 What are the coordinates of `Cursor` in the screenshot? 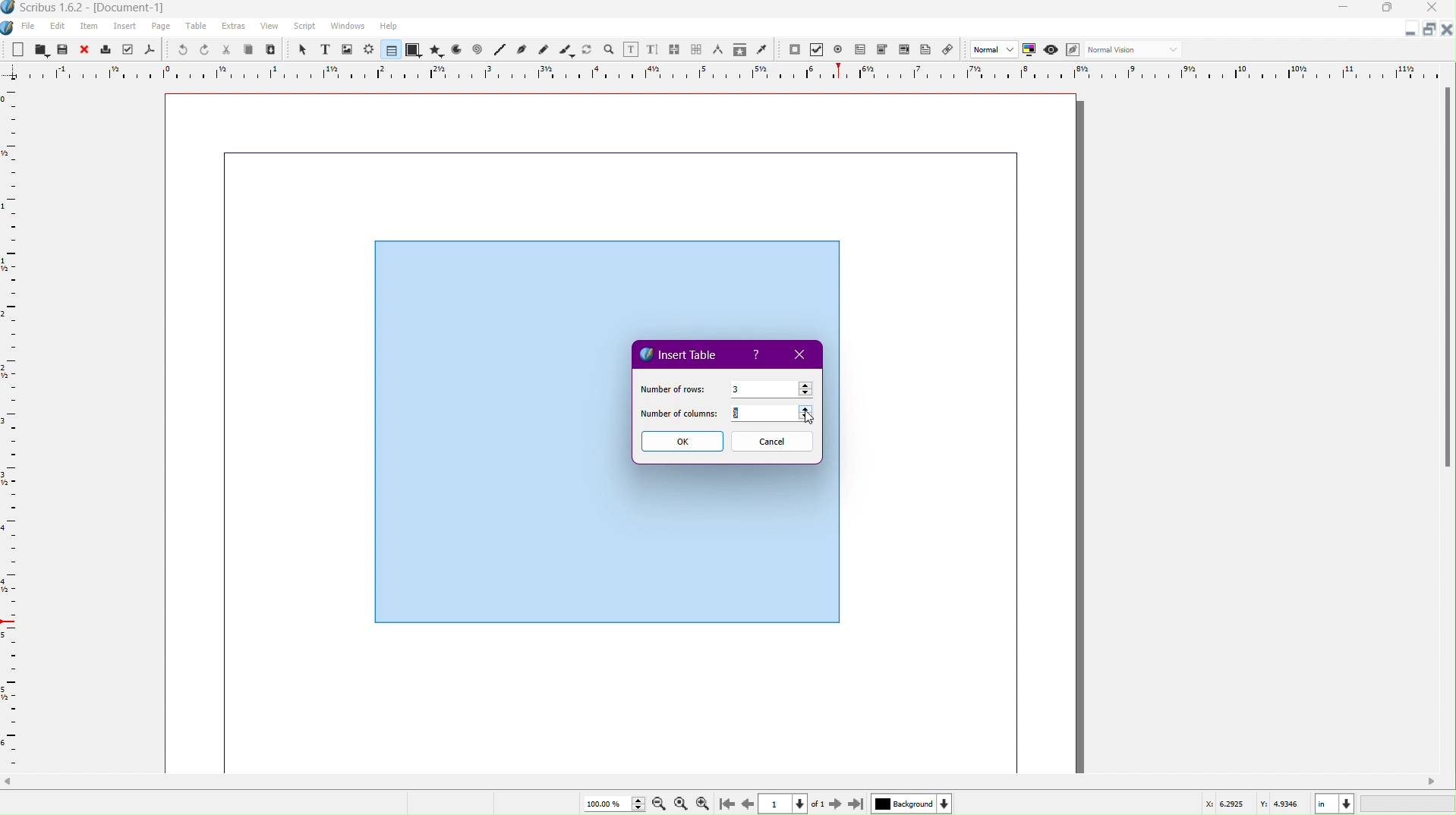 It's located at (812, 416).